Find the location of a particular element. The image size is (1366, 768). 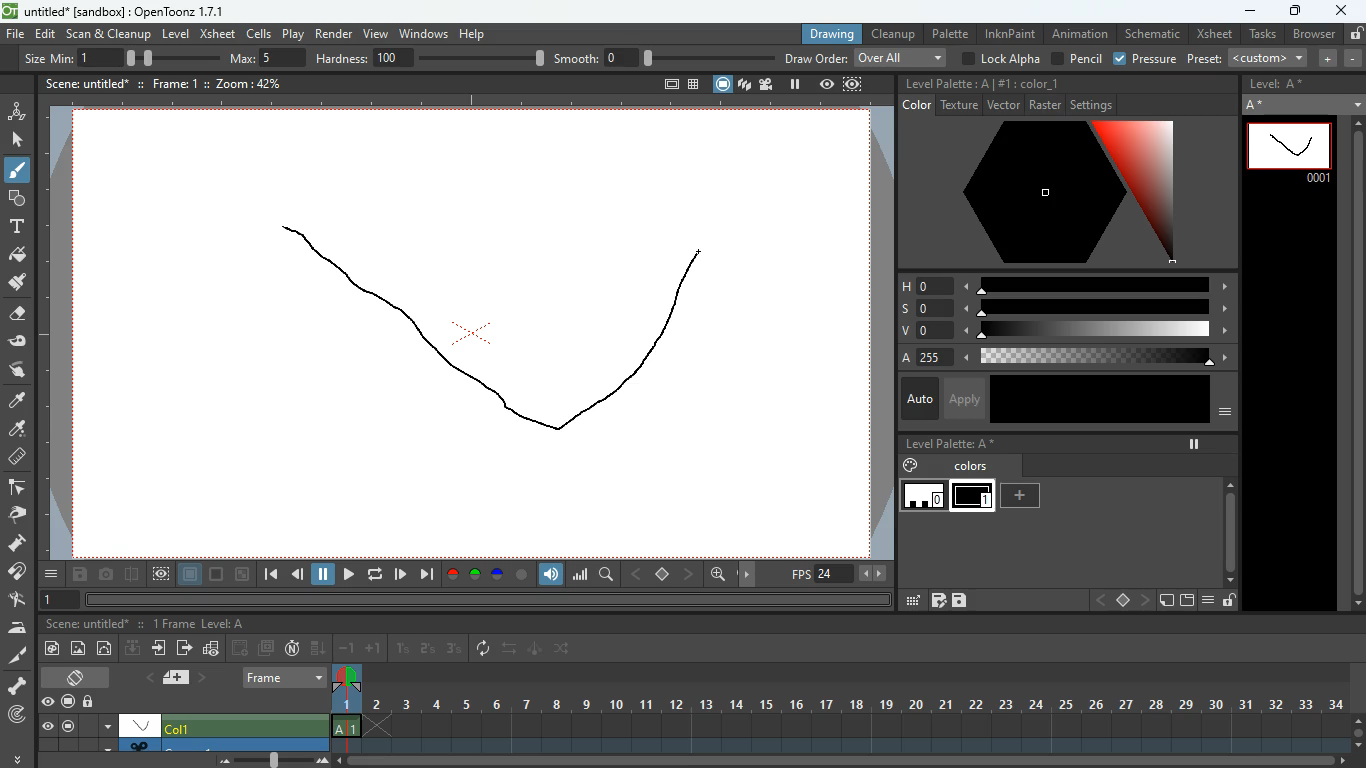

2 is located at coordinates (428, 649).